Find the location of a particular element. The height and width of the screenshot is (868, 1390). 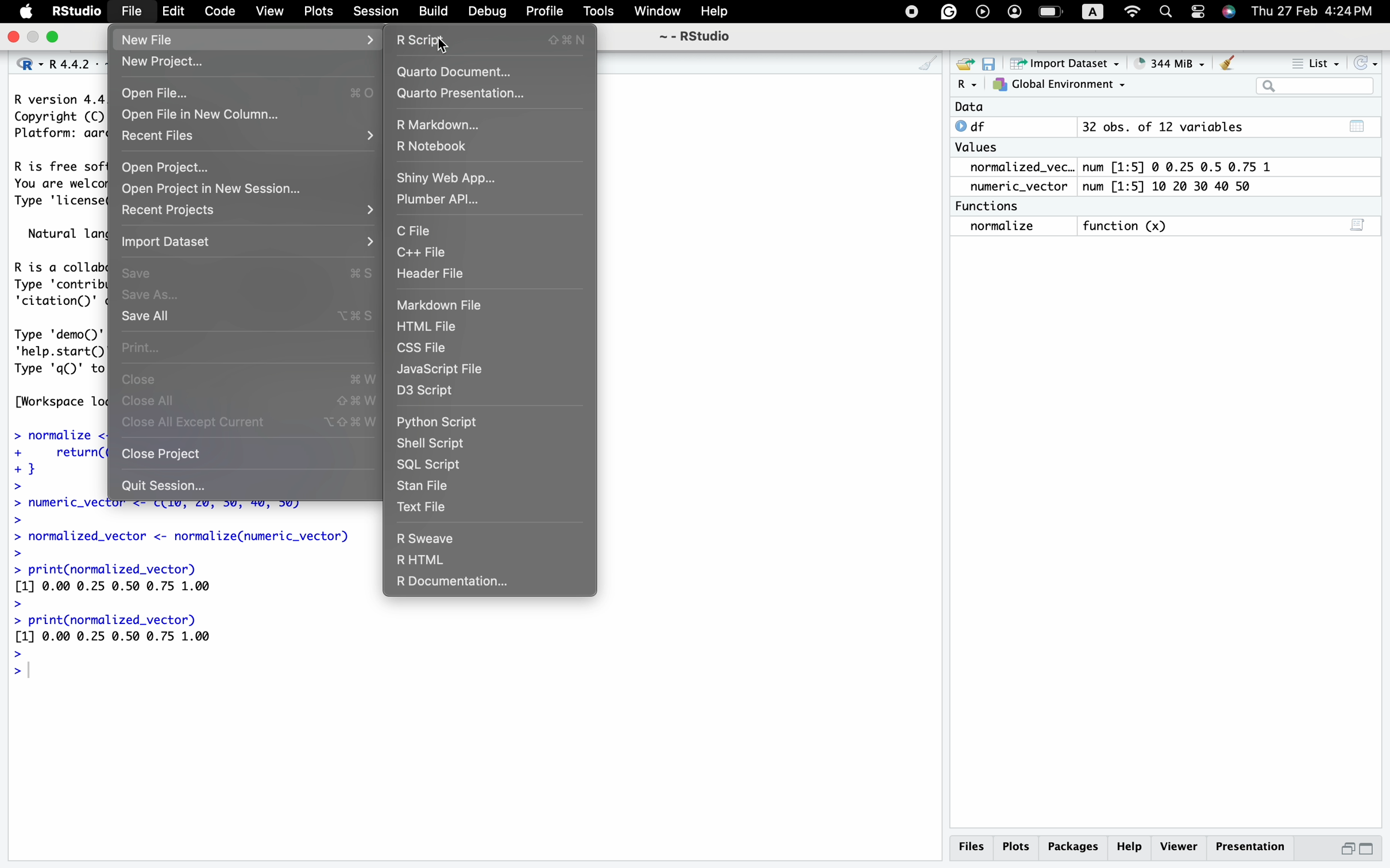

Save is located at coordinates (137, 274).